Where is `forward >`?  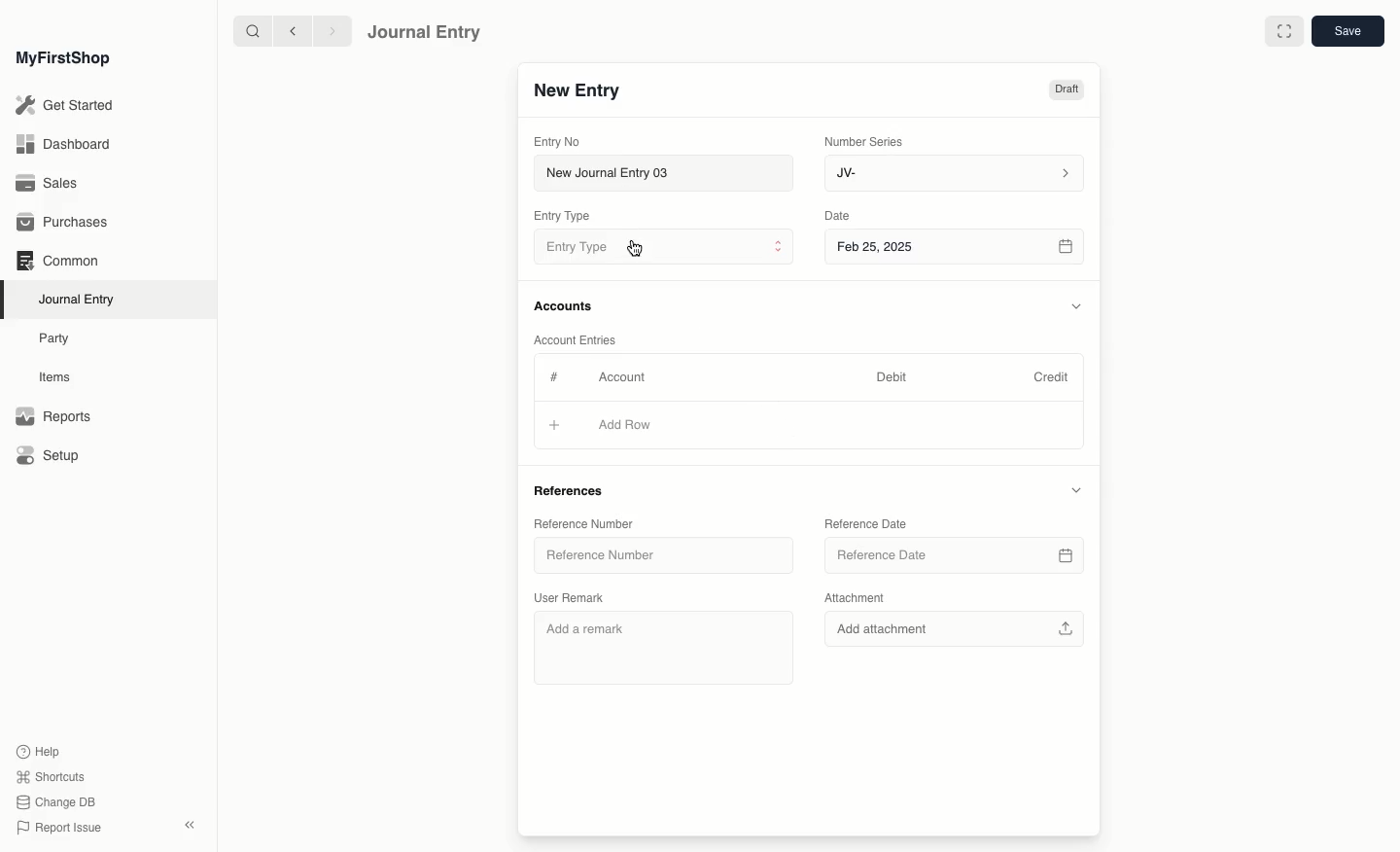 forward > is located at coordinates (328, 30).